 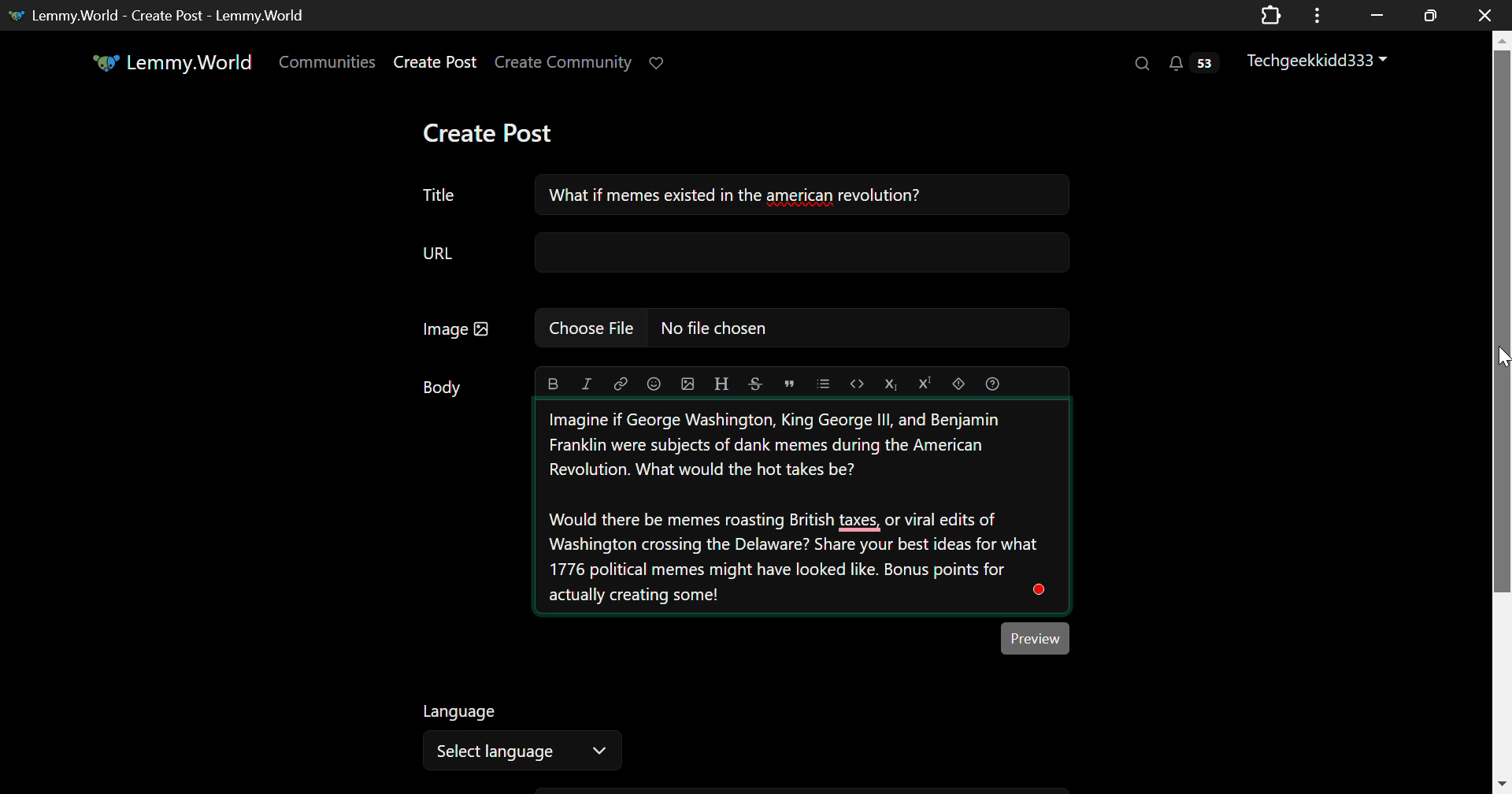 What do you see at coordinates (1317, 61) in the screenshot?
I see `Techgeekkidd333` at bounding box center [1317, 61].